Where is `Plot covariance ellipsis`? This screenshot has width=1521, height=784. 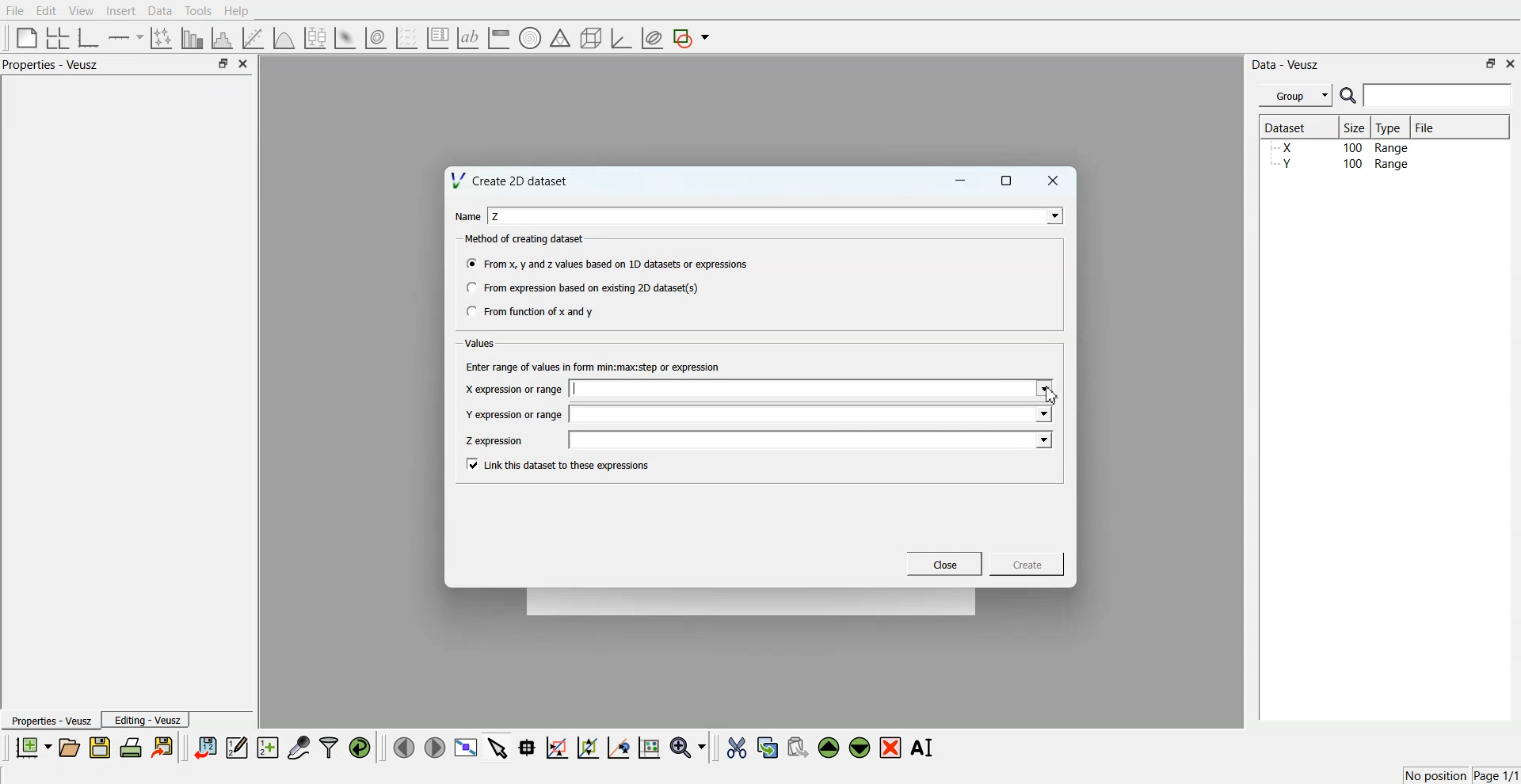 Plot covariance ellipsis is located at coordinates (653, 39).